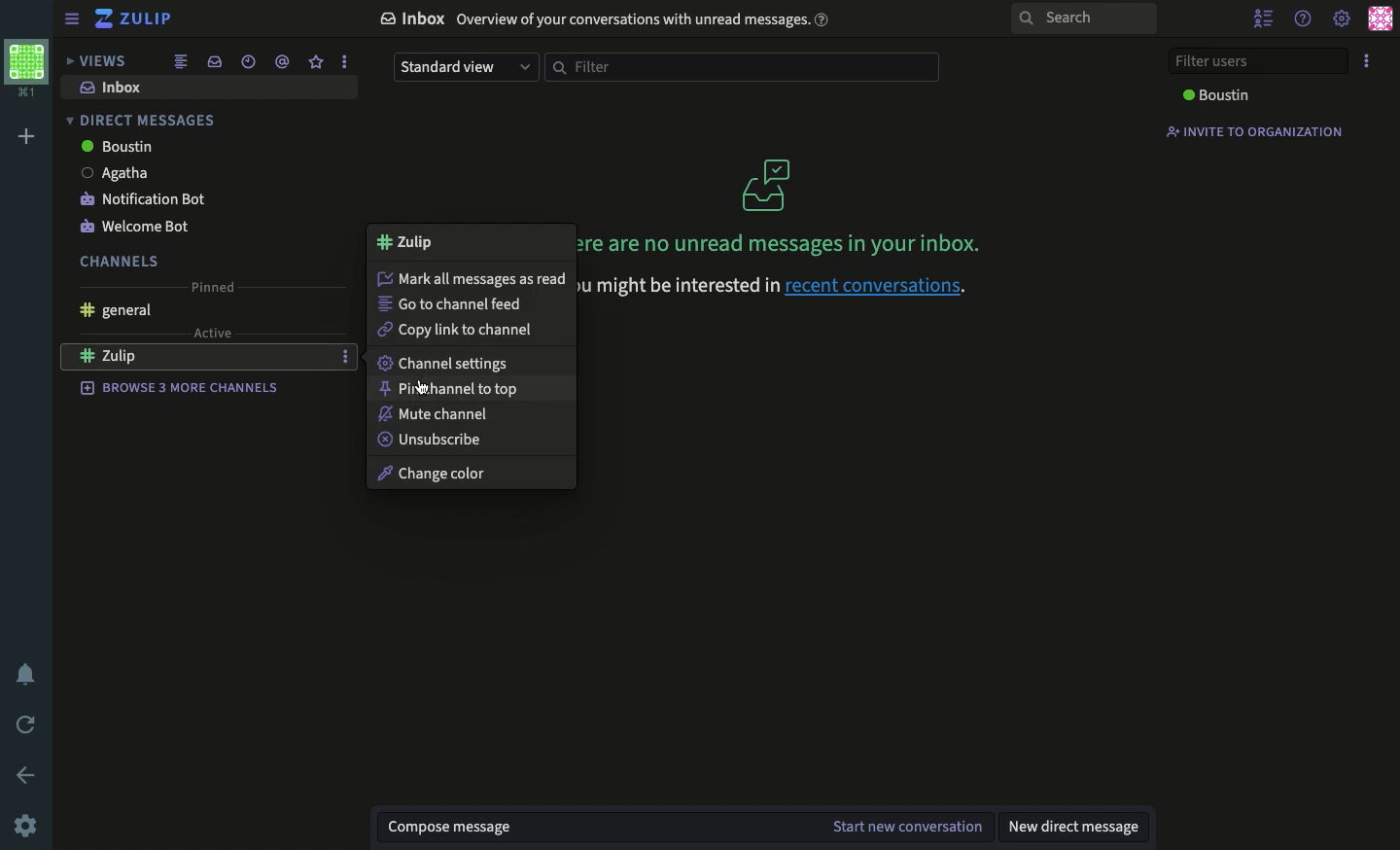 This screenshot has width=1400, height=850. I want to click on settings, so click(26, 824).